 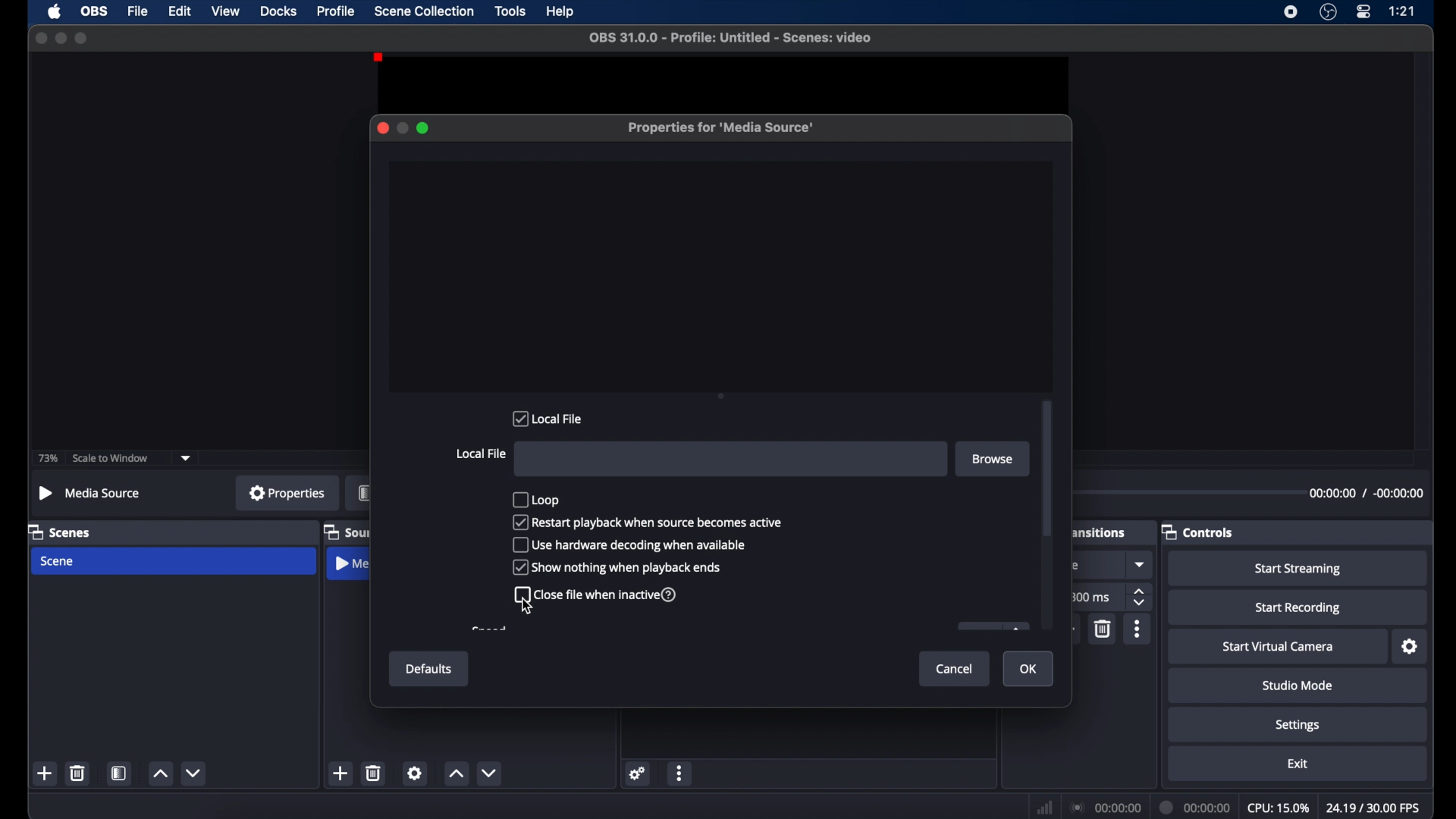 What do you see at coordinates (1364, 11) in the screenshot?
I see `control center` at bounding box center [1364, 11].